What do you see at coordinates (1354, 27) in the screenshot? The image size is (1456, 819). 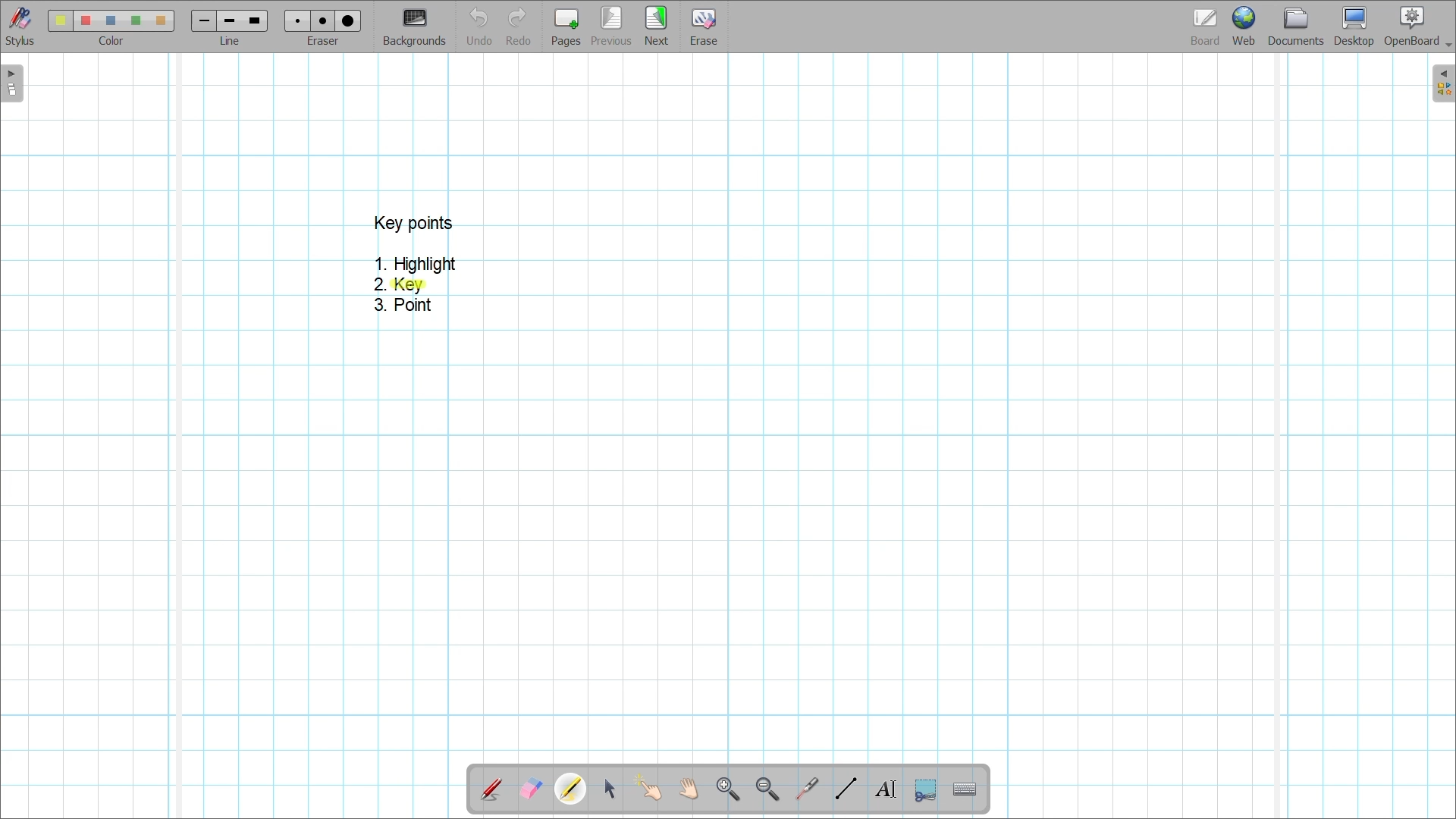 I see `Desktop` at bounding box center [1354, 27].